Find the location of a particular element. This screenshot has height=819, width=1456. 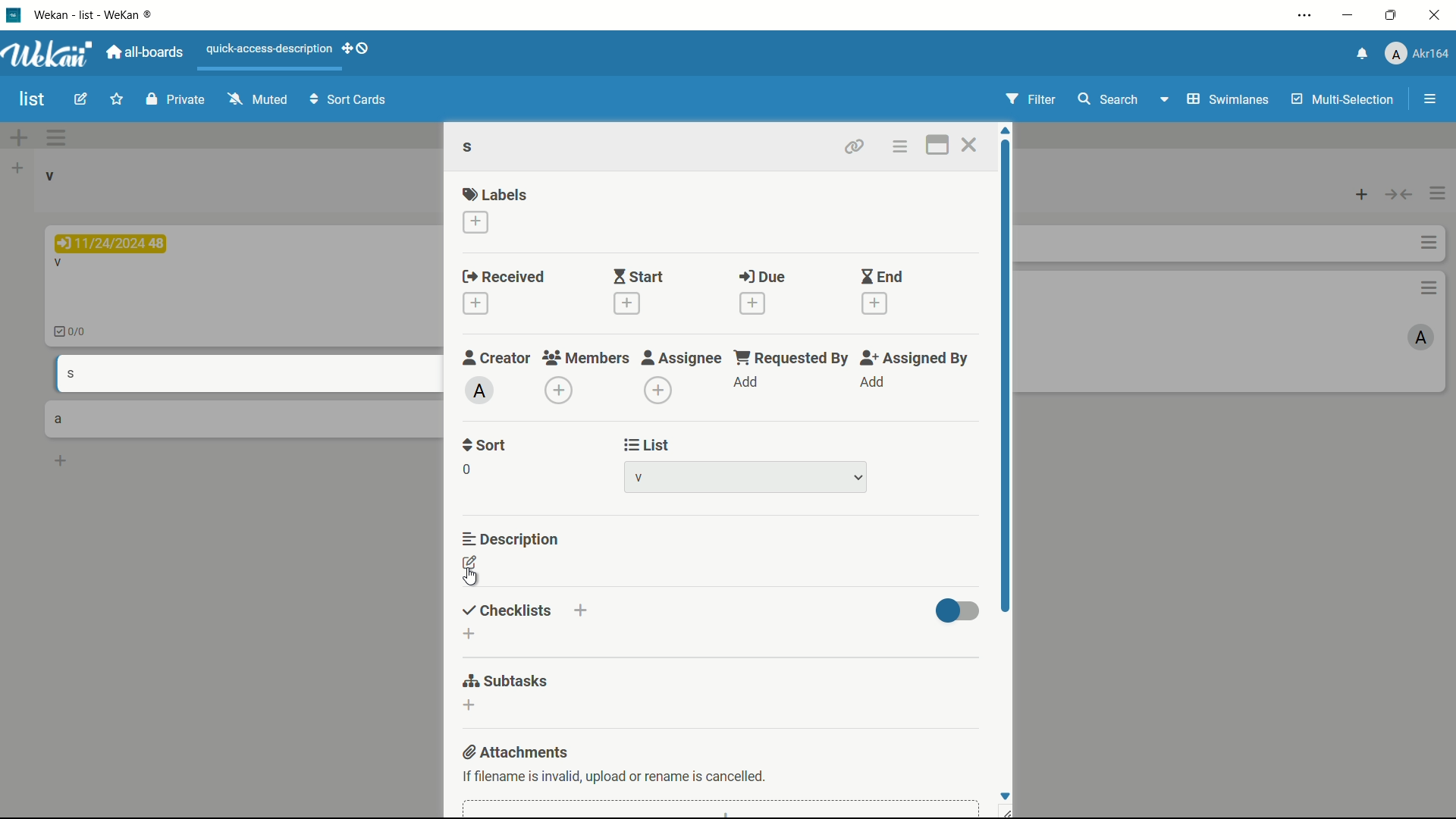

creator is located at coordinates (497, 358).